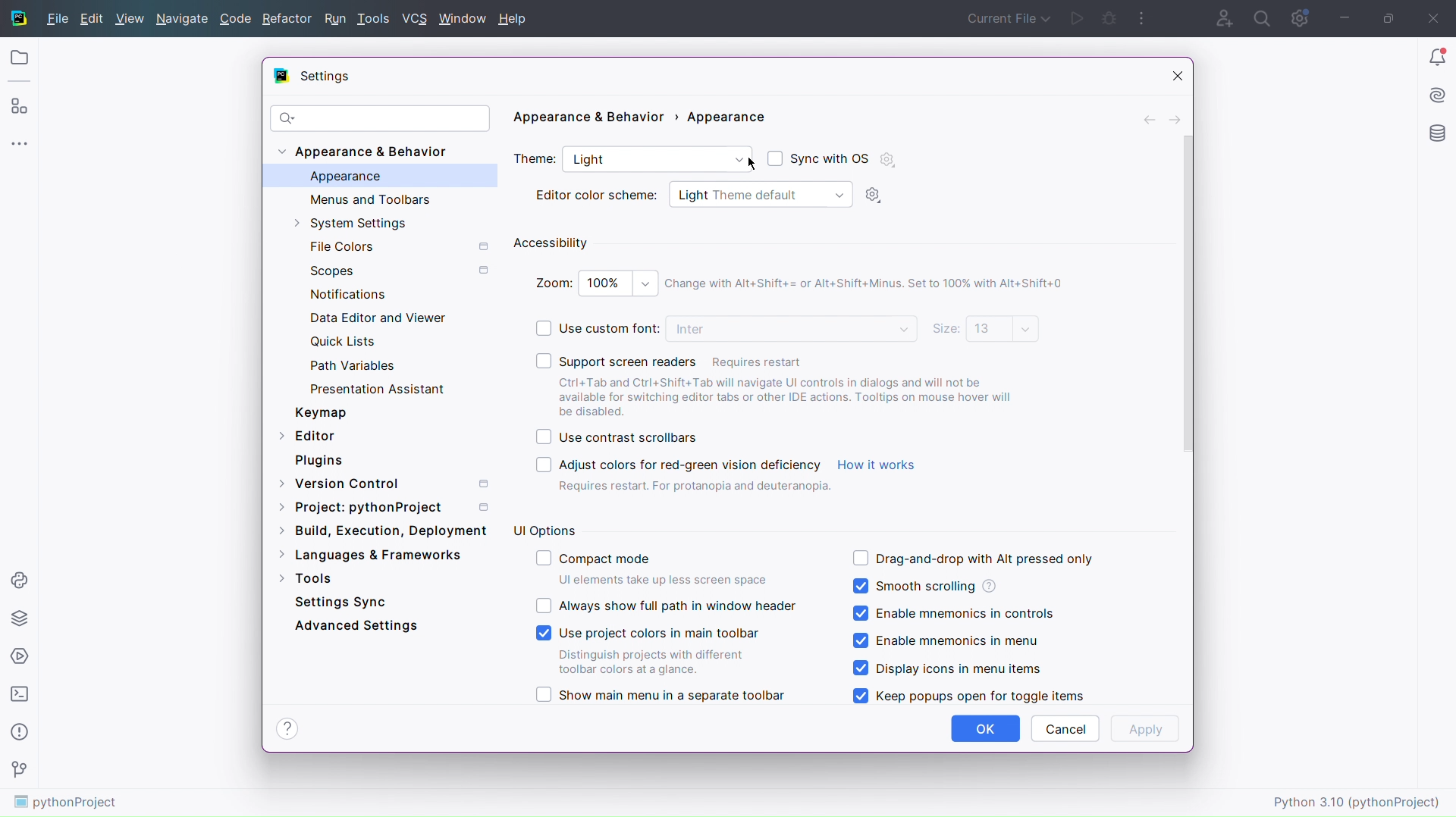 This screenshot has width=1456, height=817. What do you see at coordinates (20, 617) in the screenshot?
I see `Python Packages` at bounding box center [20, 617].